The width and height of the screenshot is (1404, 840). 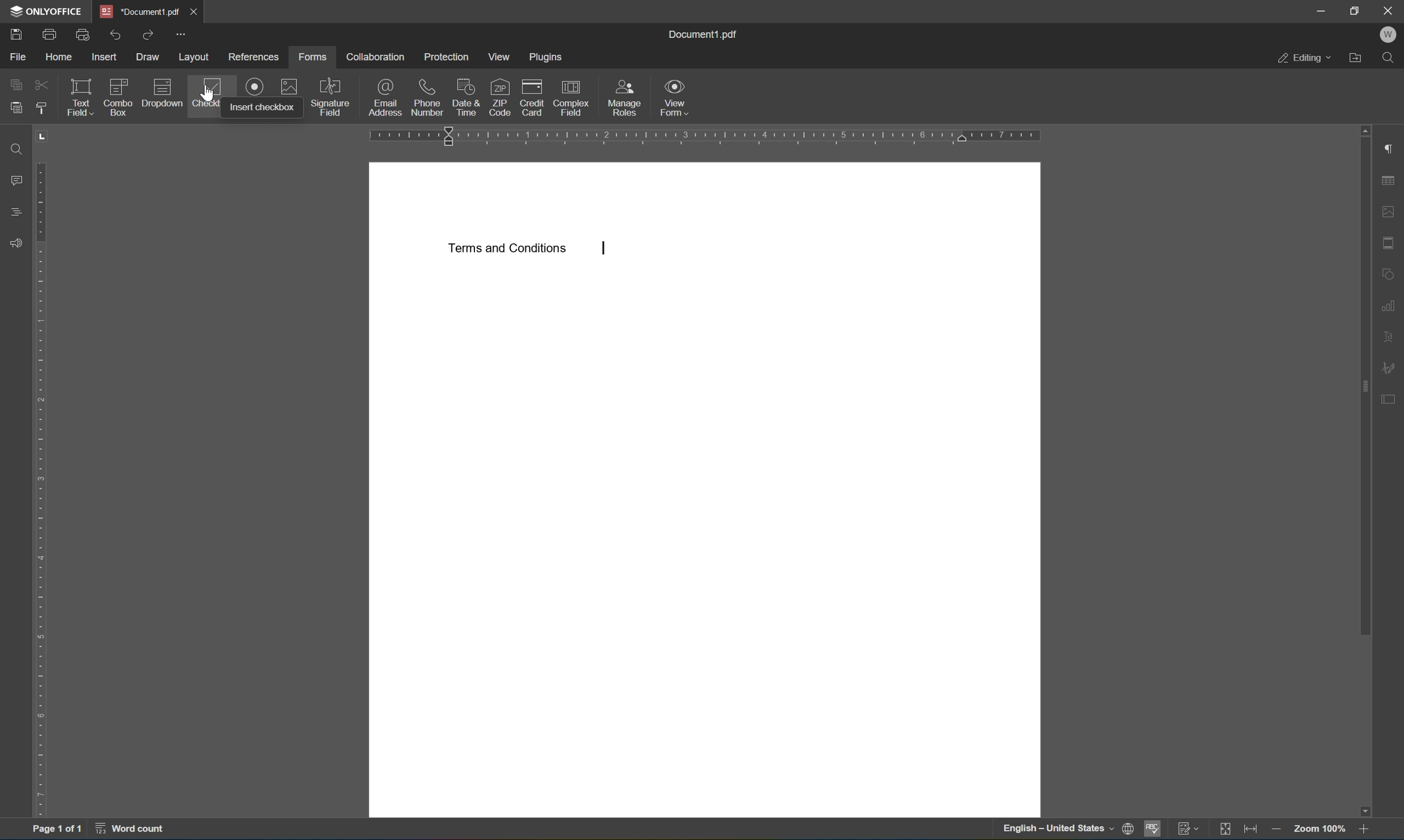 What do you see at coordinates (547, 58) in the screenshot?
I see `plugins` at bounding box center [547, 58].